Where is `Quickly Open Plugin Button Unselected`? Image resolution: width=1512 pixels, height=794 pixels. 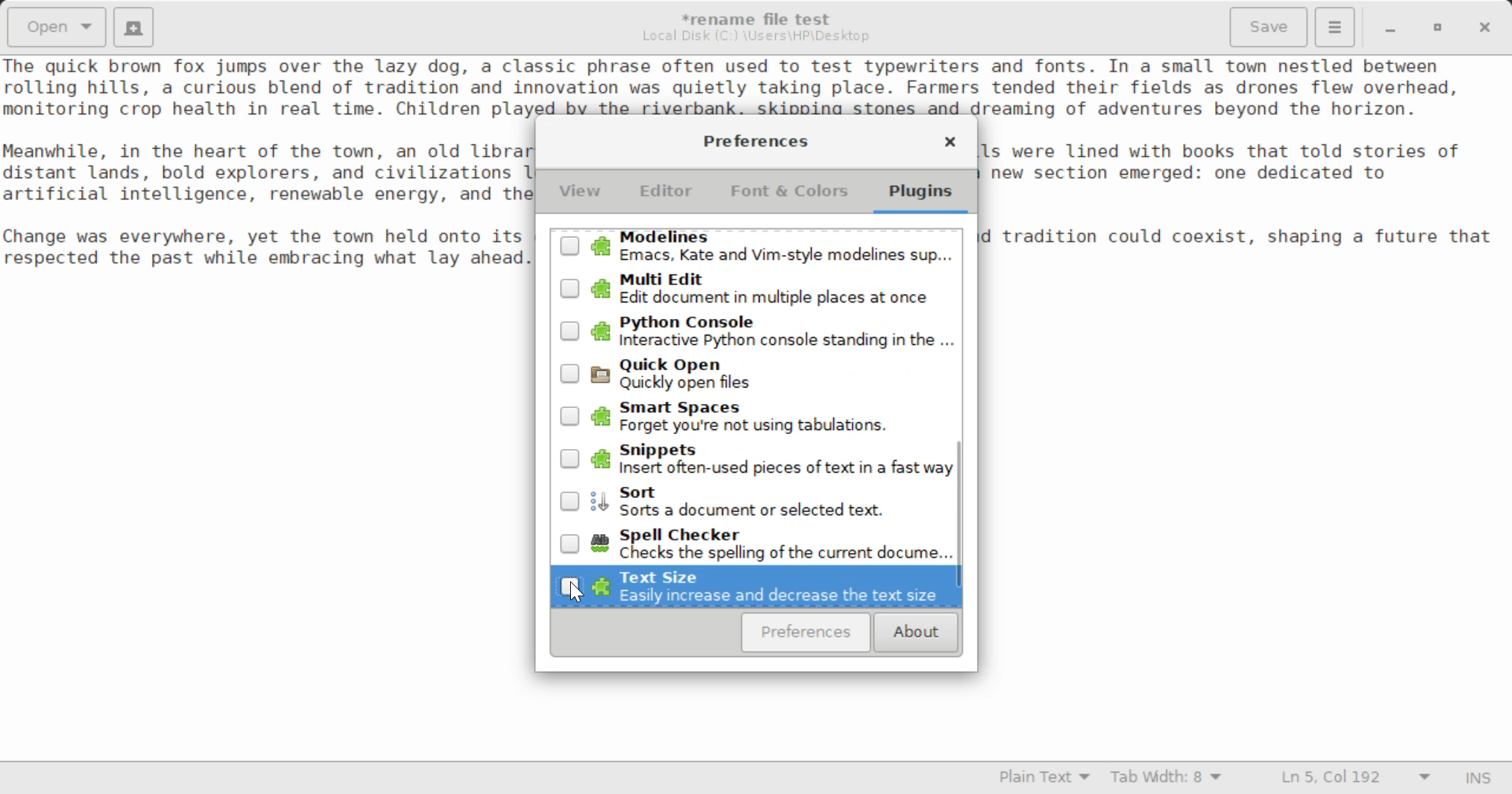
Quickly Open Plugin Button Unselected is located at coordinates (756, 375).